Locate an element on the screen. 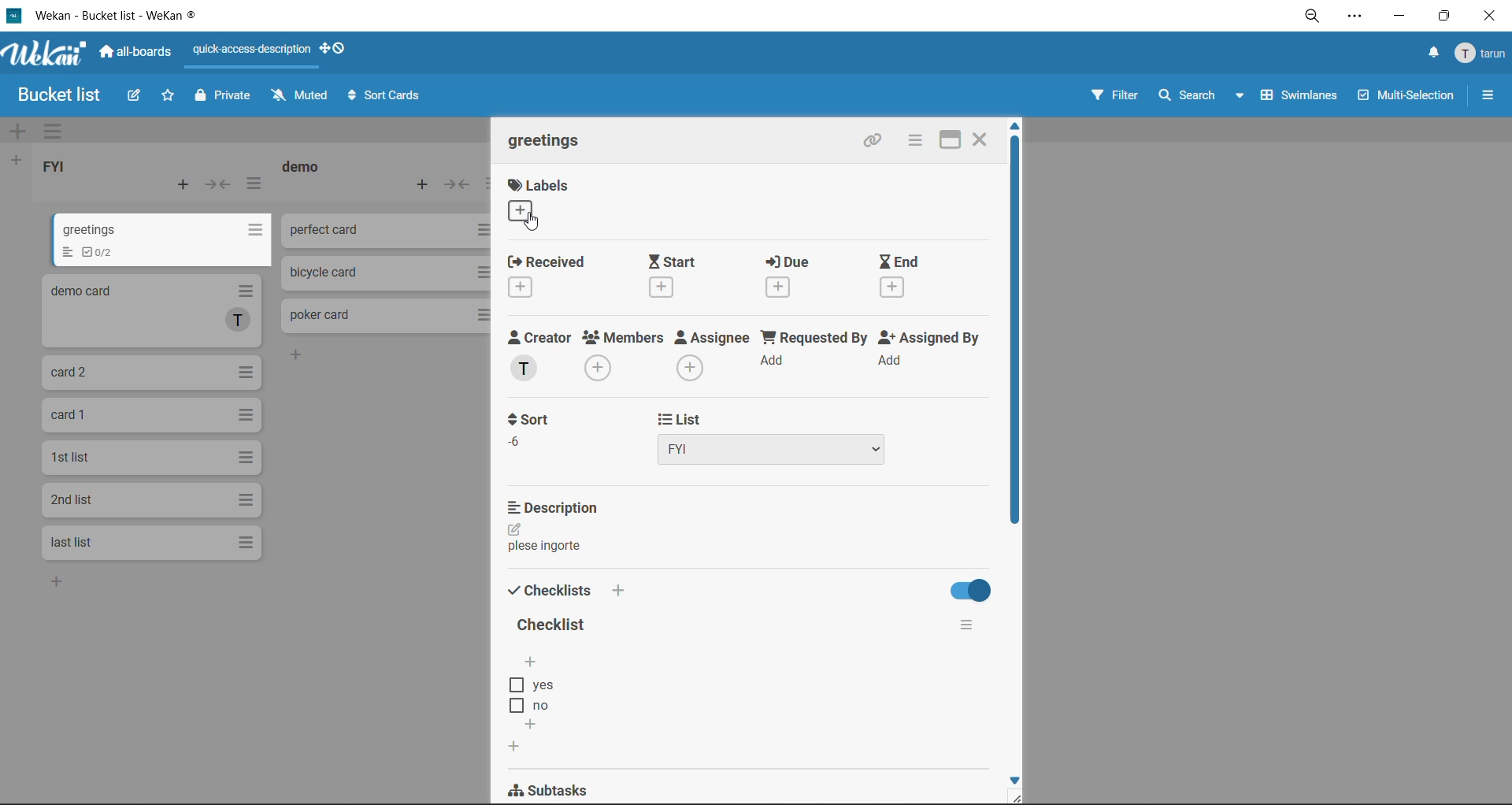 The height and width of the screenshot is (805, 1512). assigned by is located at coordinates (928, 351).